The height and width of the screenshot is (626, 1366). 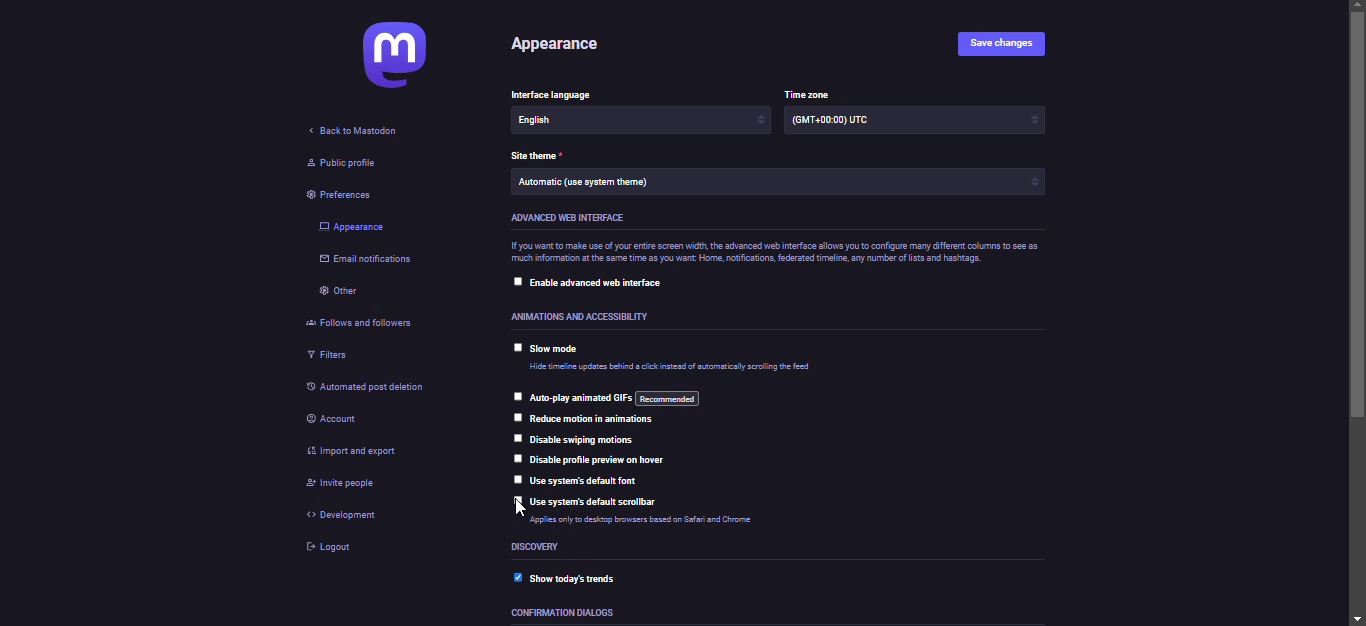 I want to click on other, so click(x=340, y=293).